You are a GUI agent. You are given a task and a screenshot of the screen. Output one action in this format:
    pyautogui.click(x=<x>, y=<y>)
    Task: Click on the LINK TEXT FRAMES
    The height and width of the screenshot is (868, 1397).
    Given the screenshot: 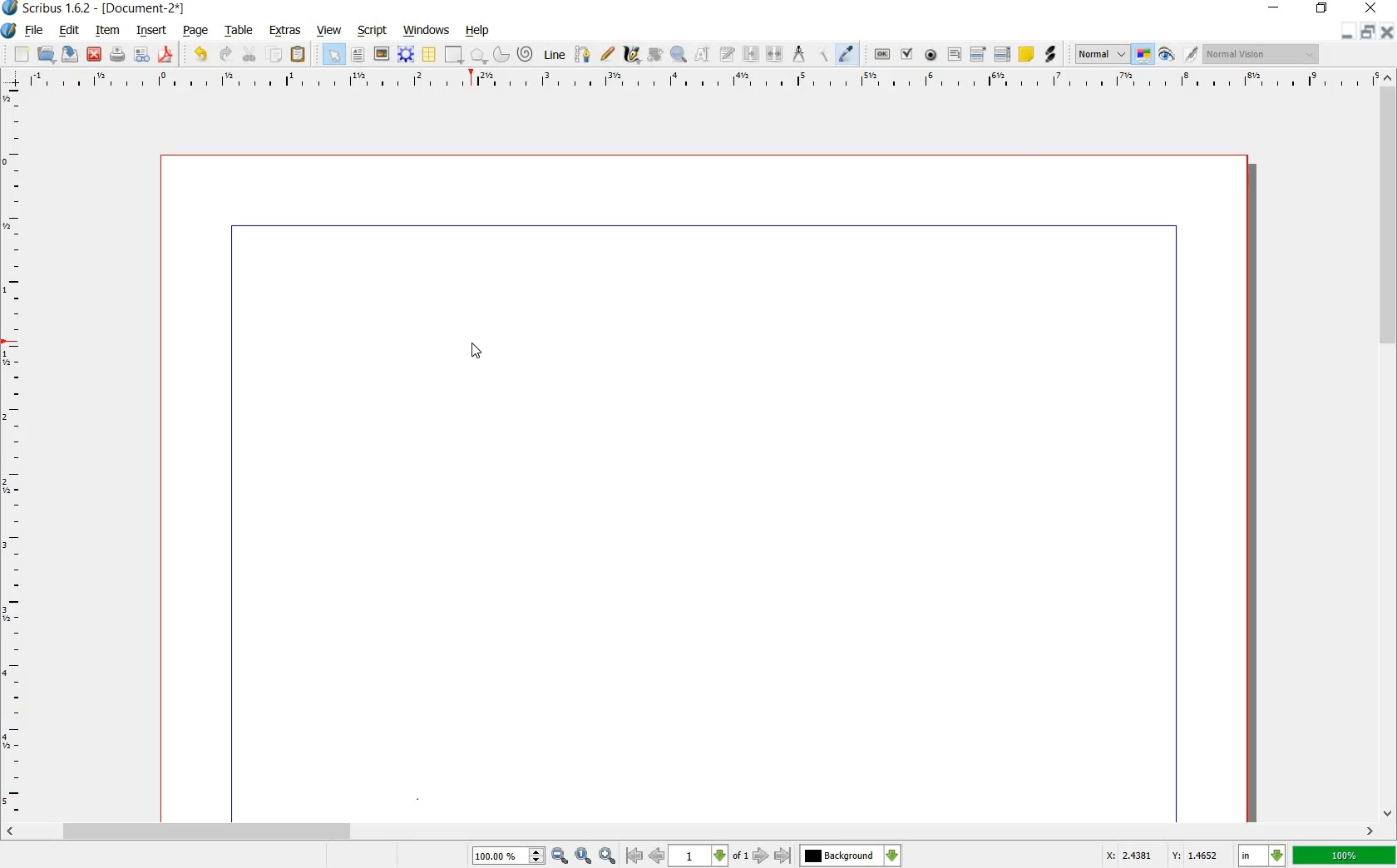 What is the action you would take?
    pyautogui.click(x=751, y=55)
    